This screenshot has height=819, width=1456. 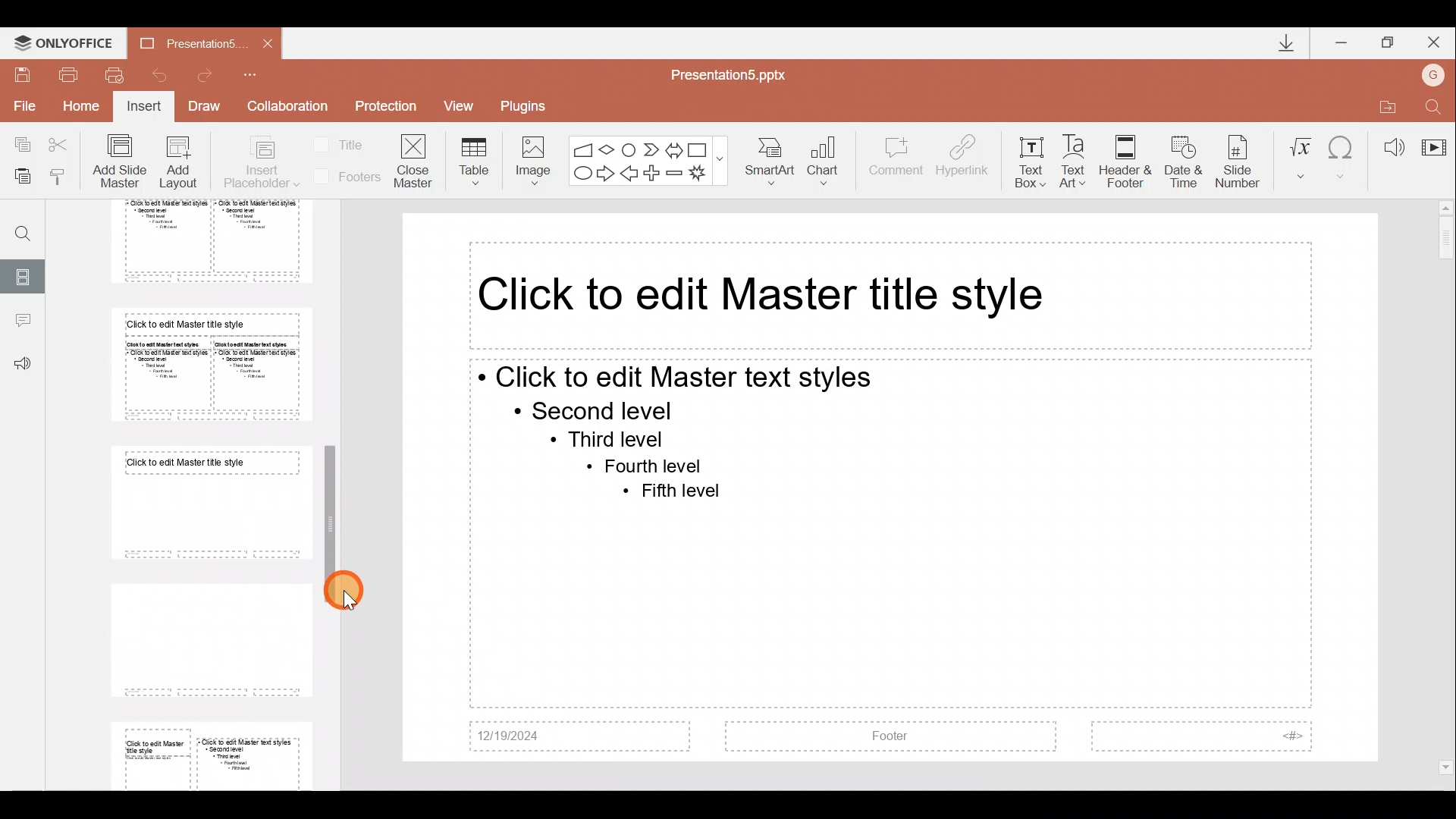 I want to click on Scroll bar, so click(x=1446, y=488).